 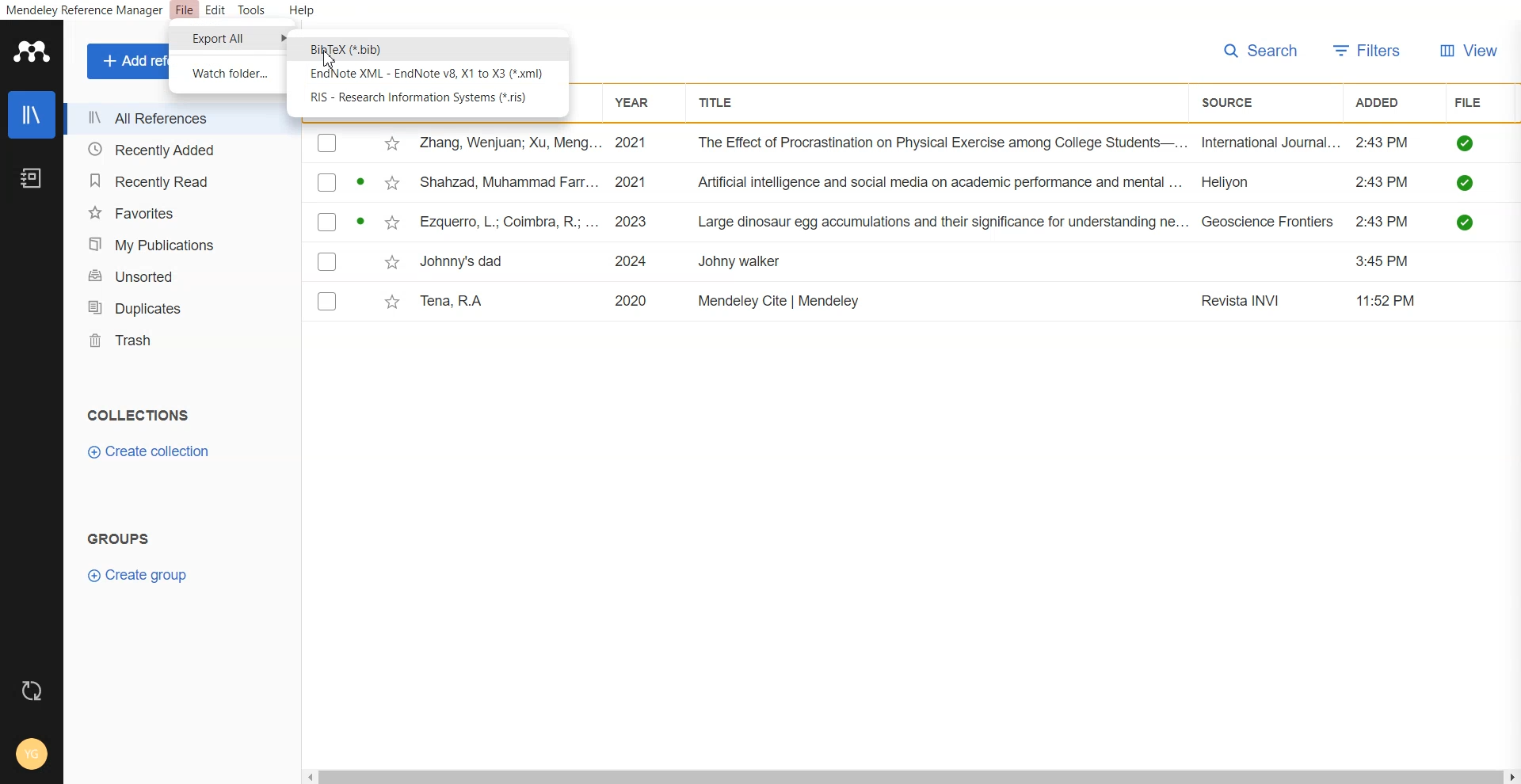 I want to click on 3:45 PM, so click(x=1386, y=261).